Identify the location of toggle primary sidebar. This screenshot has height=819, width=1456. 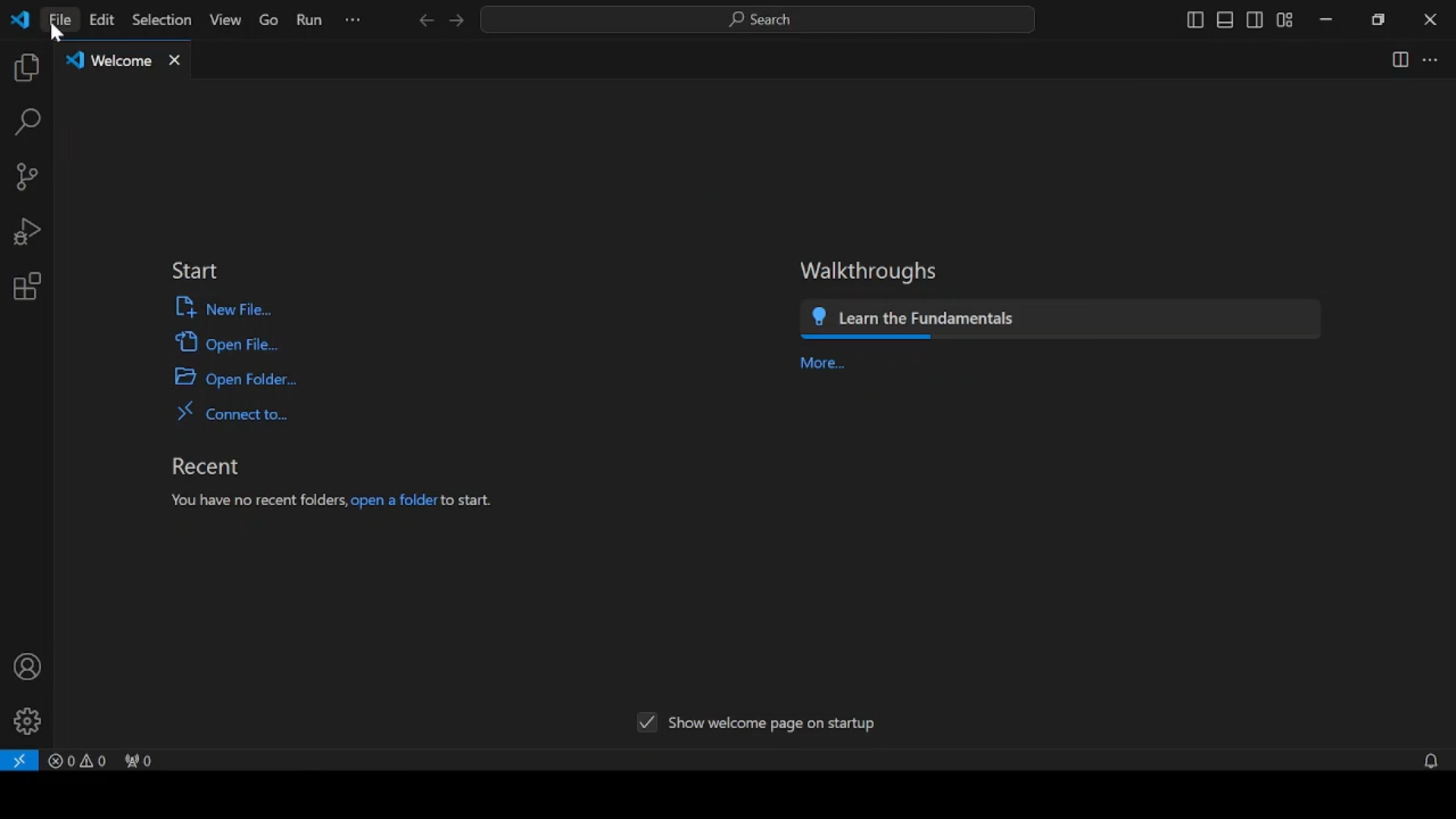
(1194, 20).